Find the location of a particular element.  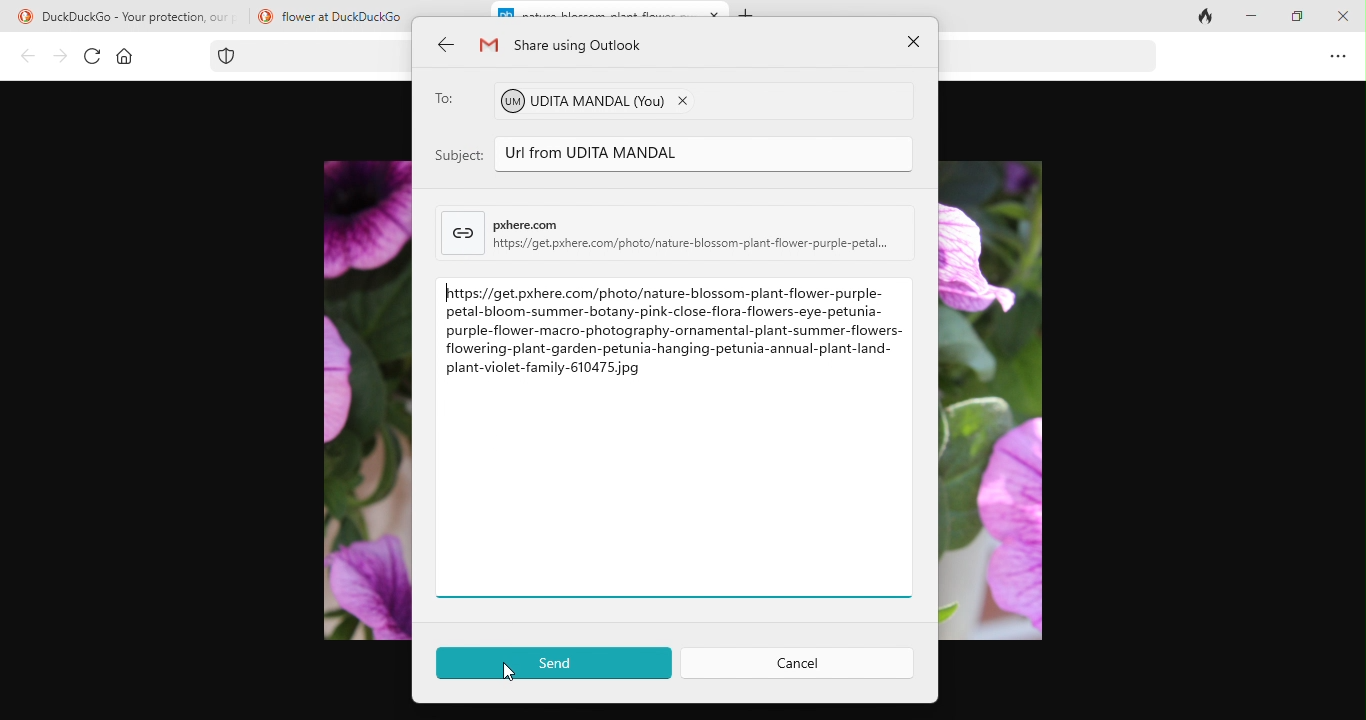

close is located at coordinates (911, 40).